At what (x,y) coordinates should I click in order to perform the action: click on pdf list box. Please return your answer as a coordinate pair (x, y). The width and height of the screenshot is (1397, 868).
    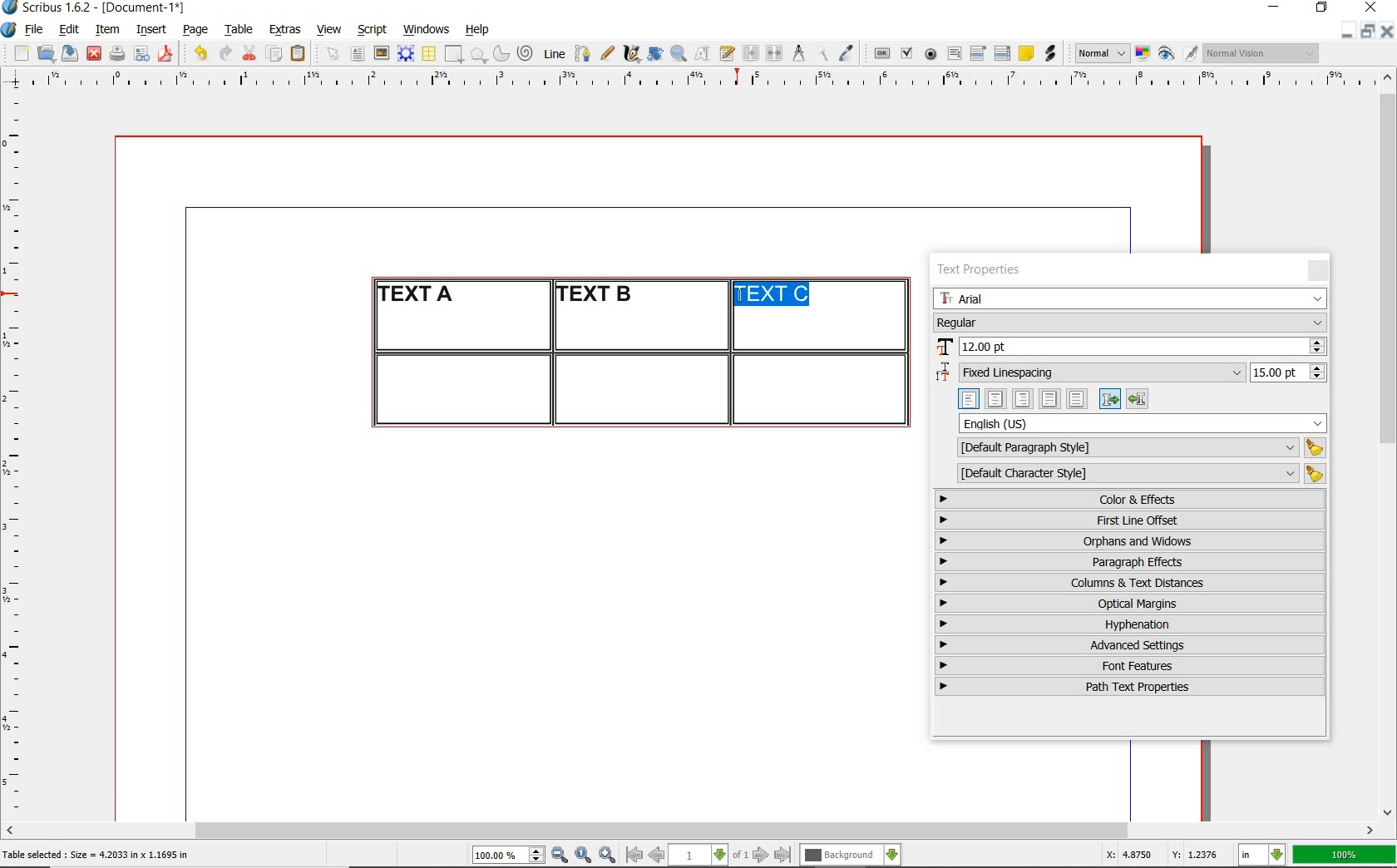
    Looking at the image, I should click on (1003, 53).